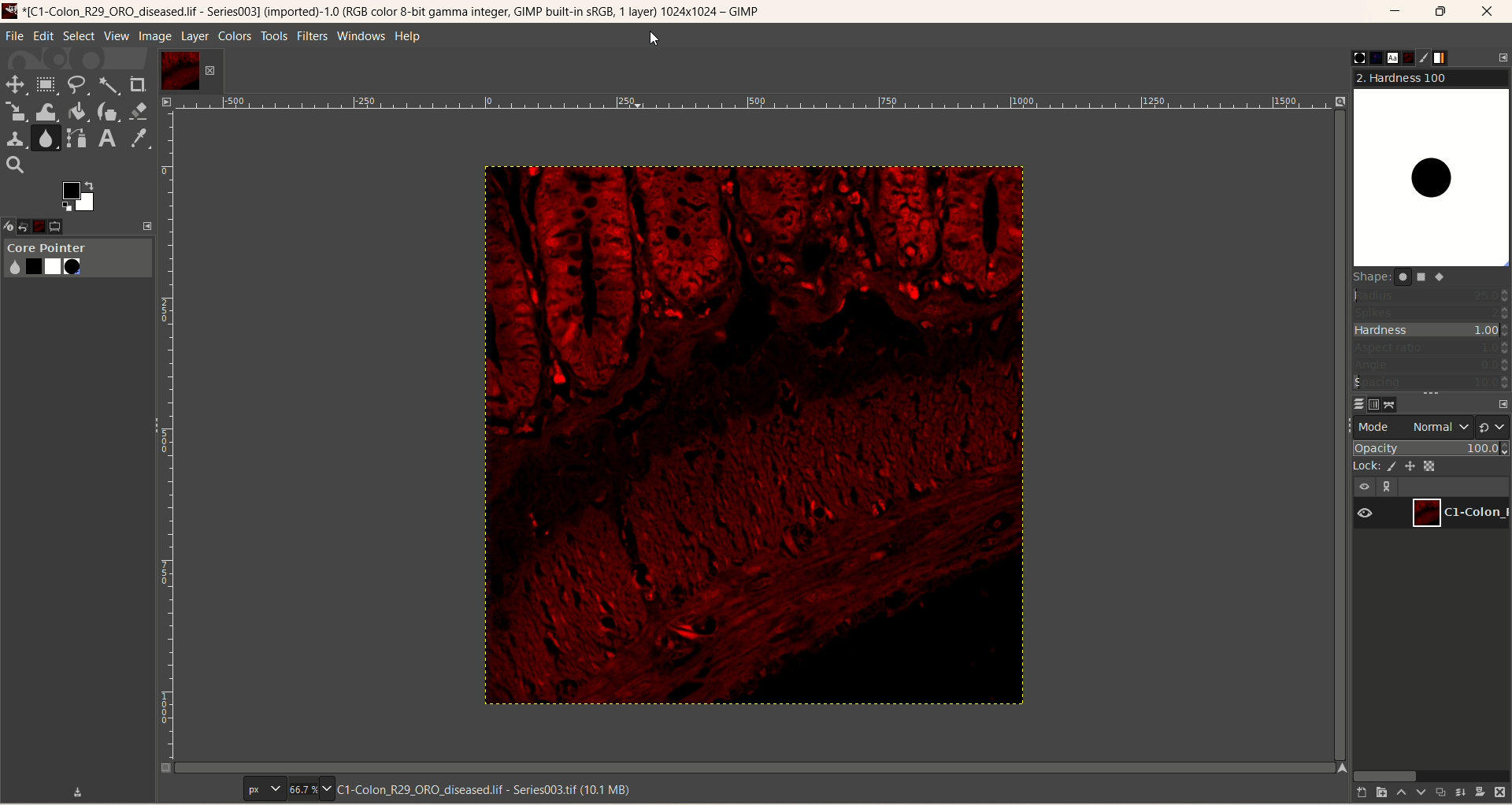 This screenshot has width=1512, height=805. I want to click on link layer, so click(1389, 487).